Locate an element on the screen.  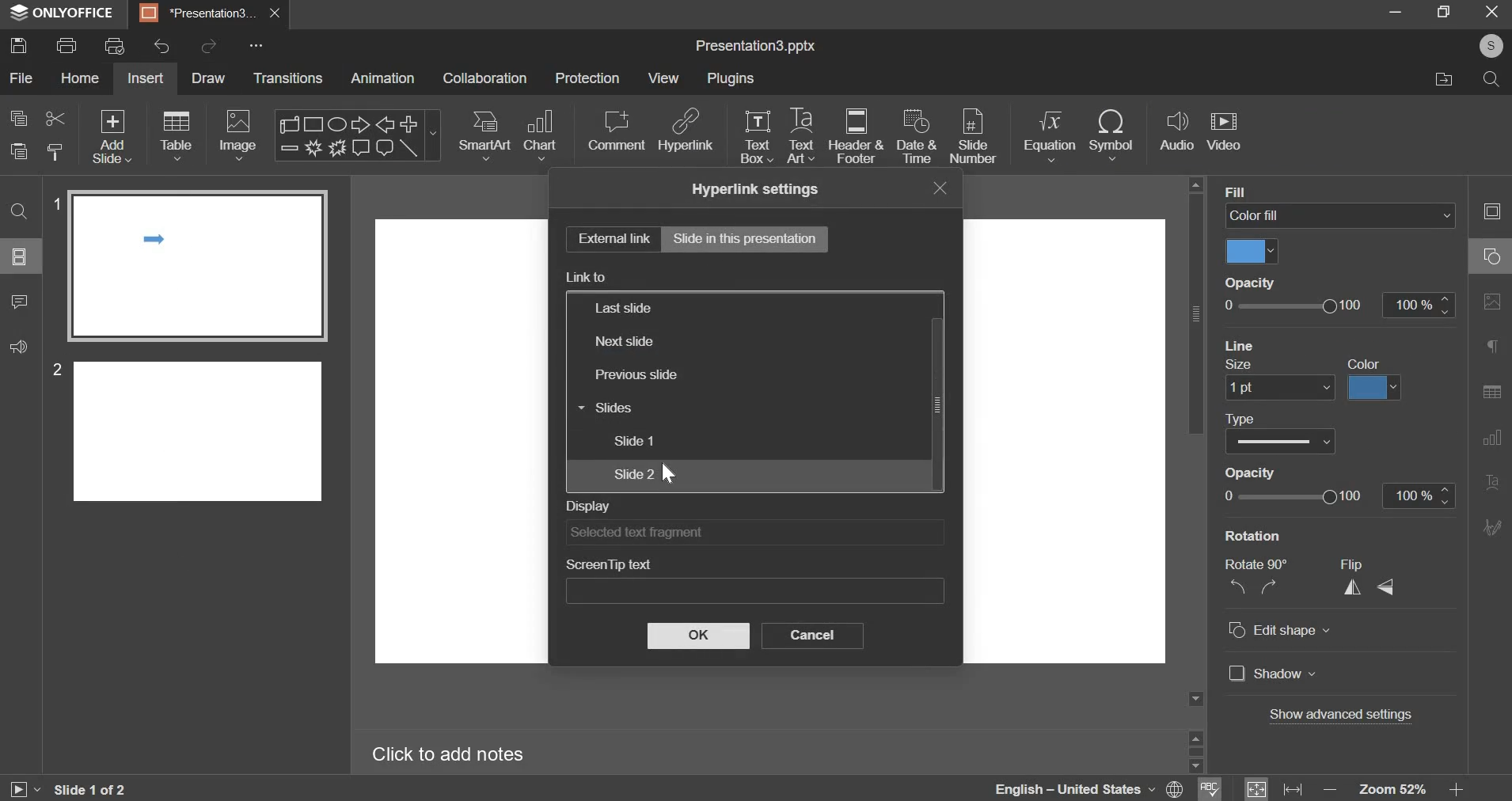
Signature settings is located at coordinates (1492, 526).